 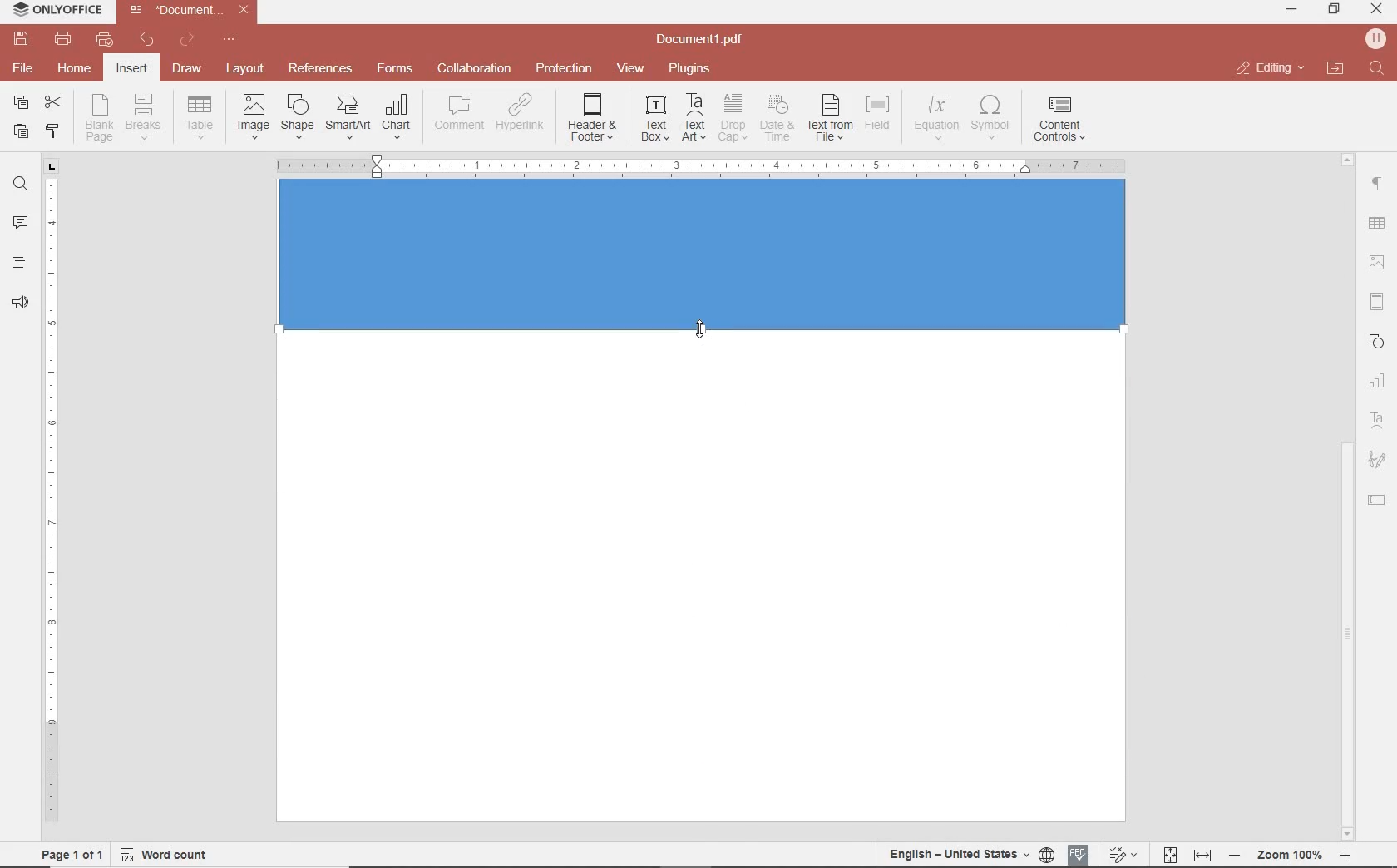 What do you see at coordinates (205, 116) in the screenshot?
I see `insert drop down` at bounding box center [205, 116].